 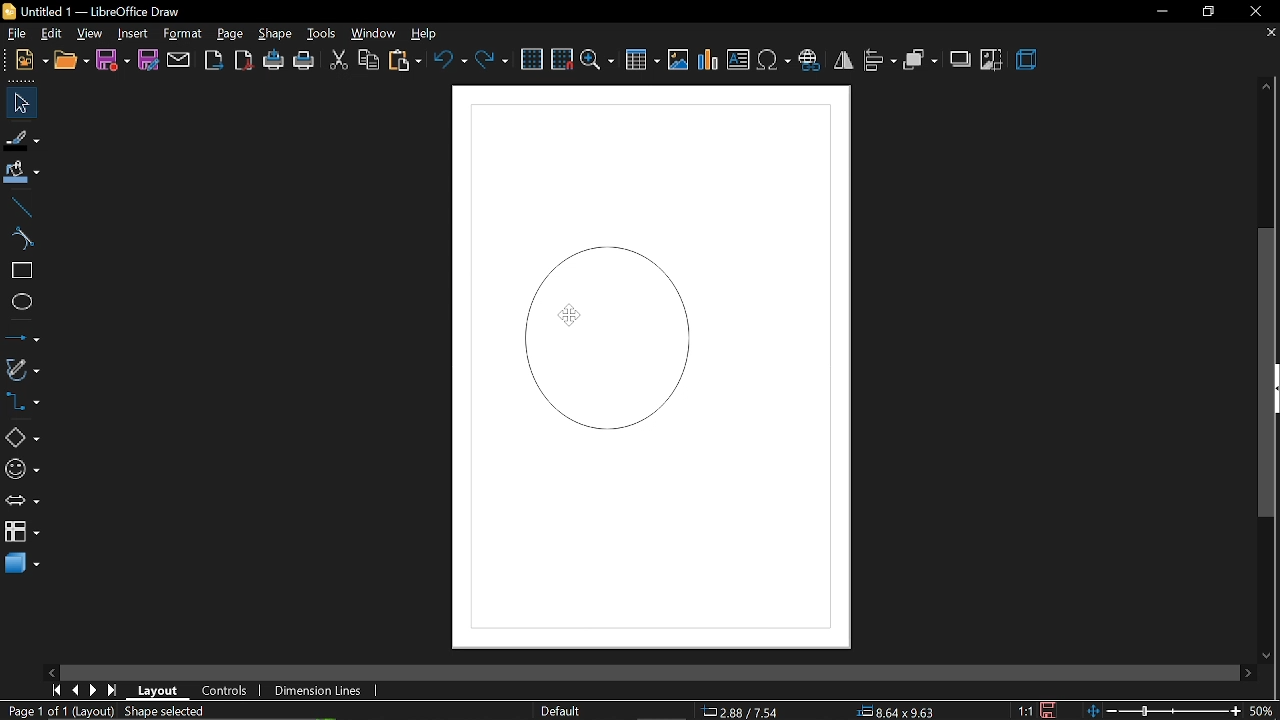 What do you see at coordinates (1269, 372) in the screenshot?
I see `vertical scrollbar` at bounding box center [1269, 372].